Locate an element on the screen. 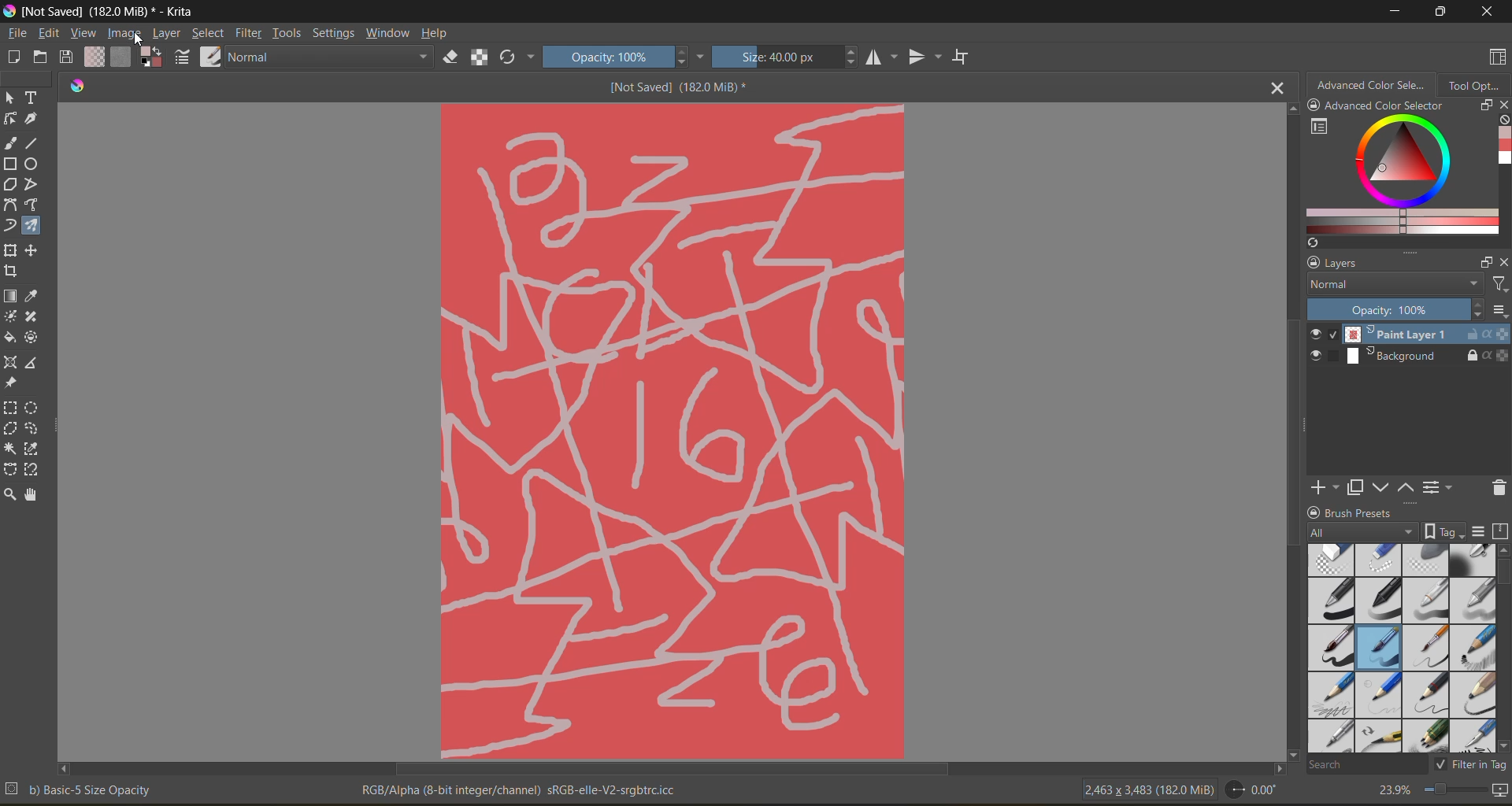 This screenshot has height=806, width=1512. open is located at coordinates (43, 57).